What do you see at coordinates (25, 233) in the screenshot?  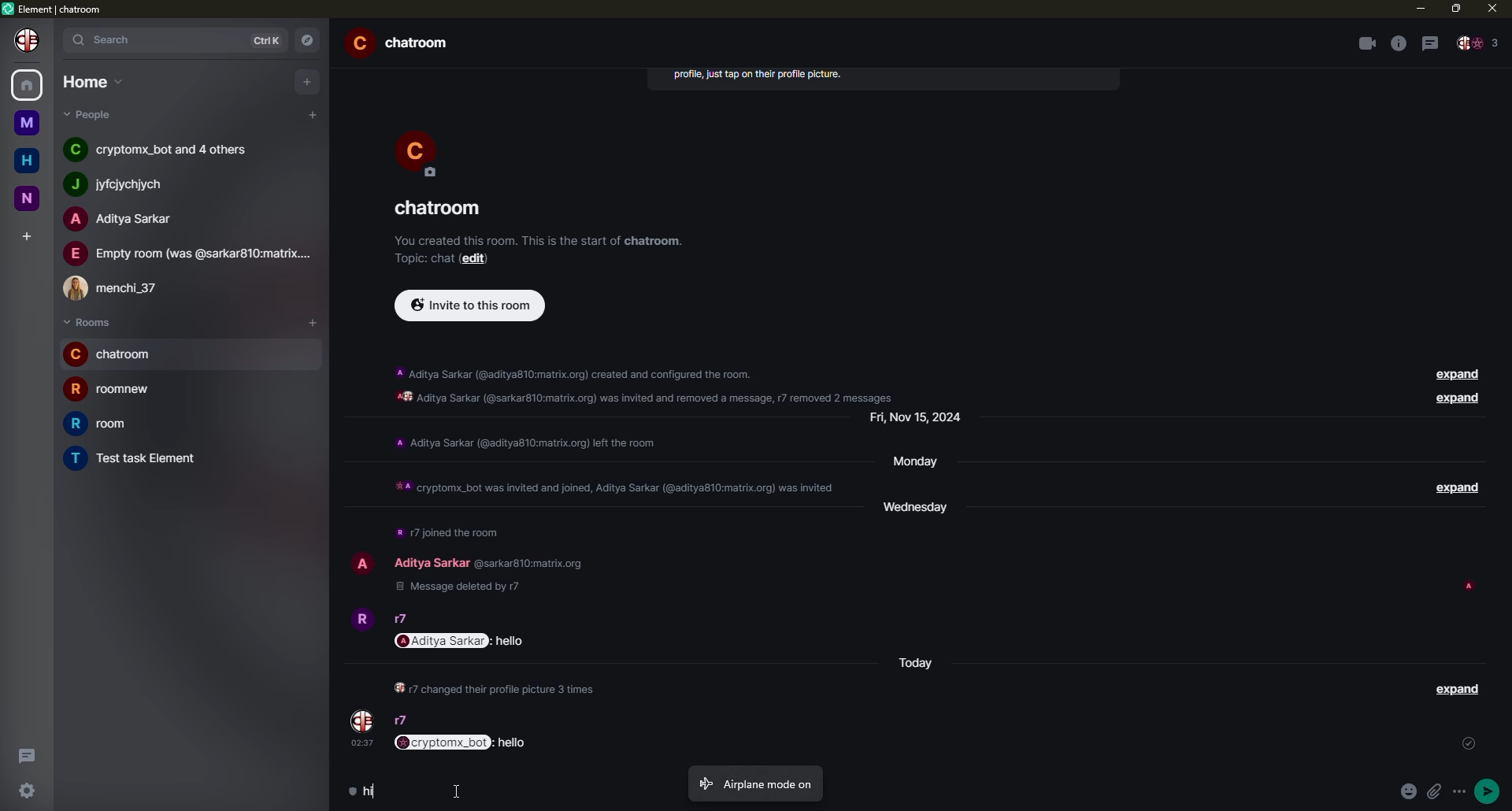 I see `add` at bounding box center [25, 233].